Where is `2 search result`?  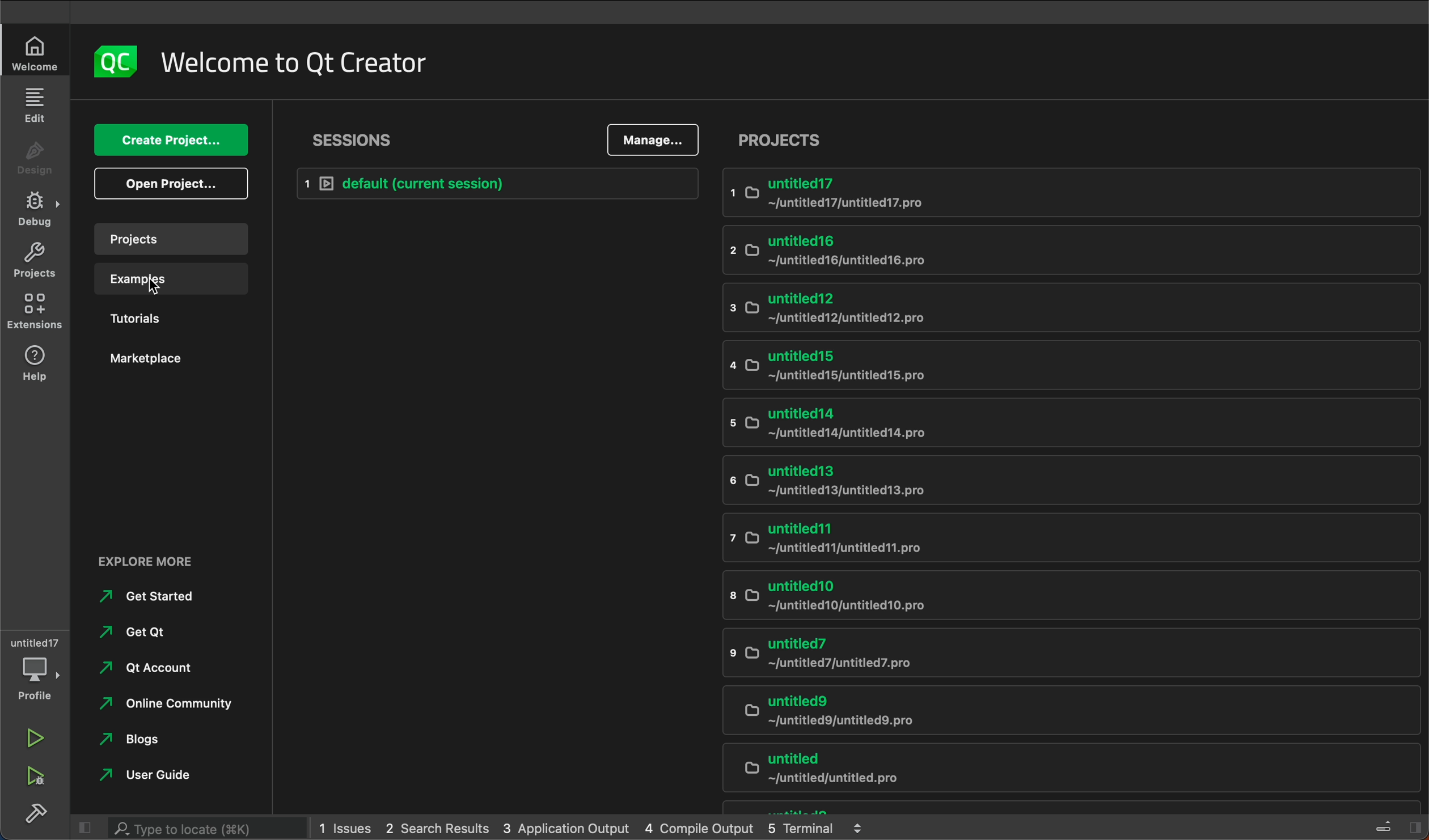
2 search result is located at coordinates (439, 828).